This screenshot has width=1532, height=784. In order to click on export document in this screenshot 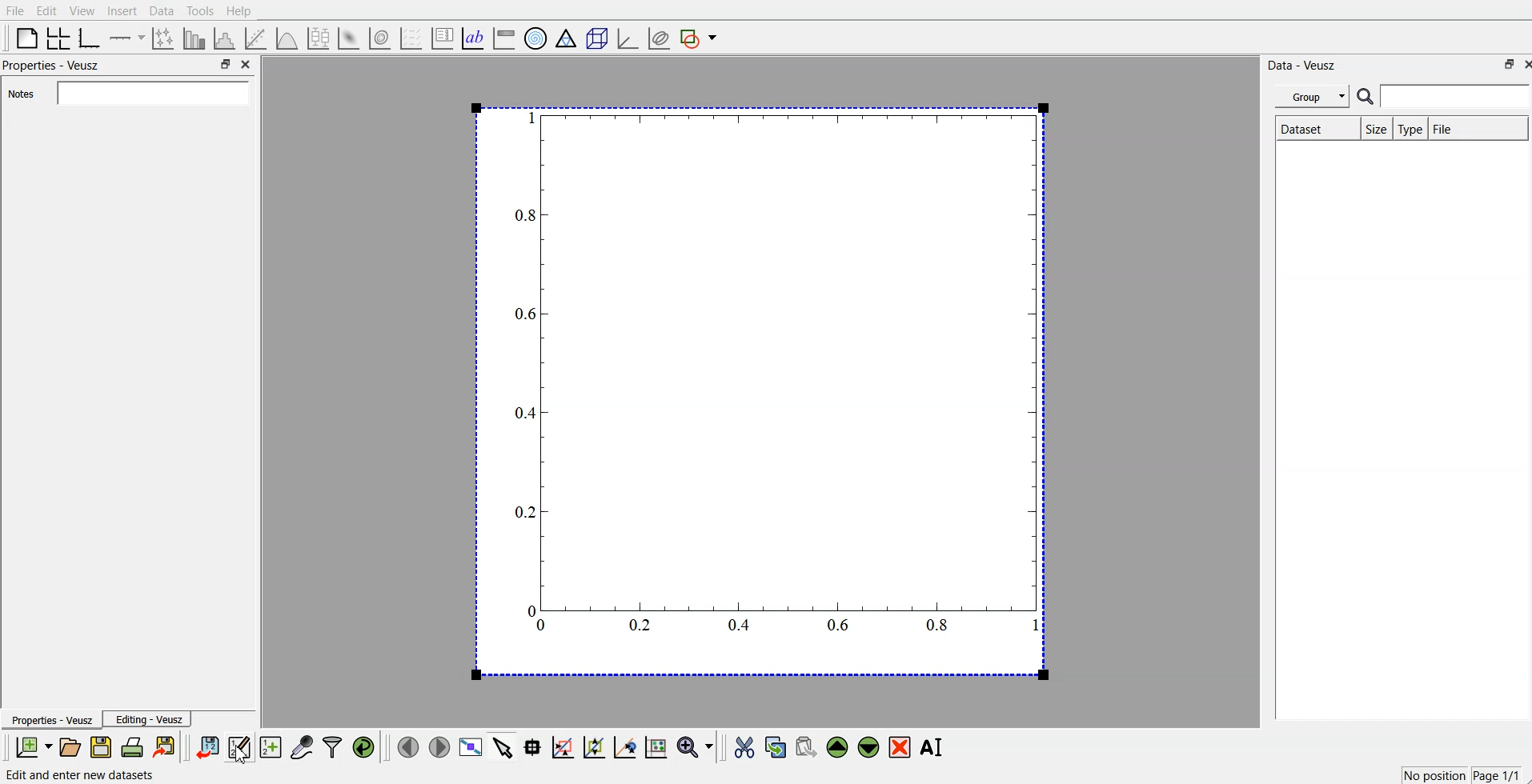, I will do `click(165, 748)`.